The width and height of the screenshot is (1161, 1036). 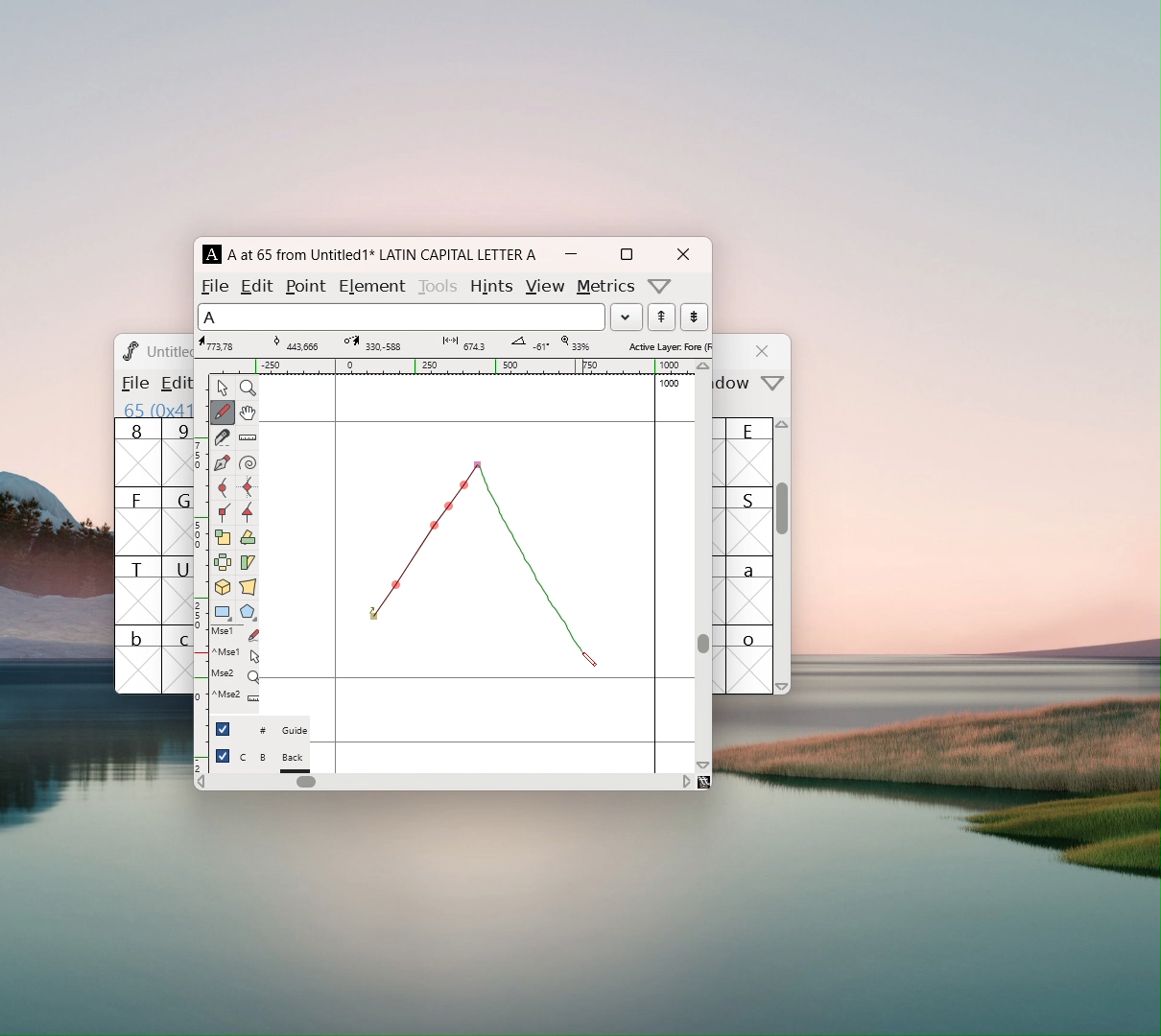 I want to click on view, so click(x=544, y=287).